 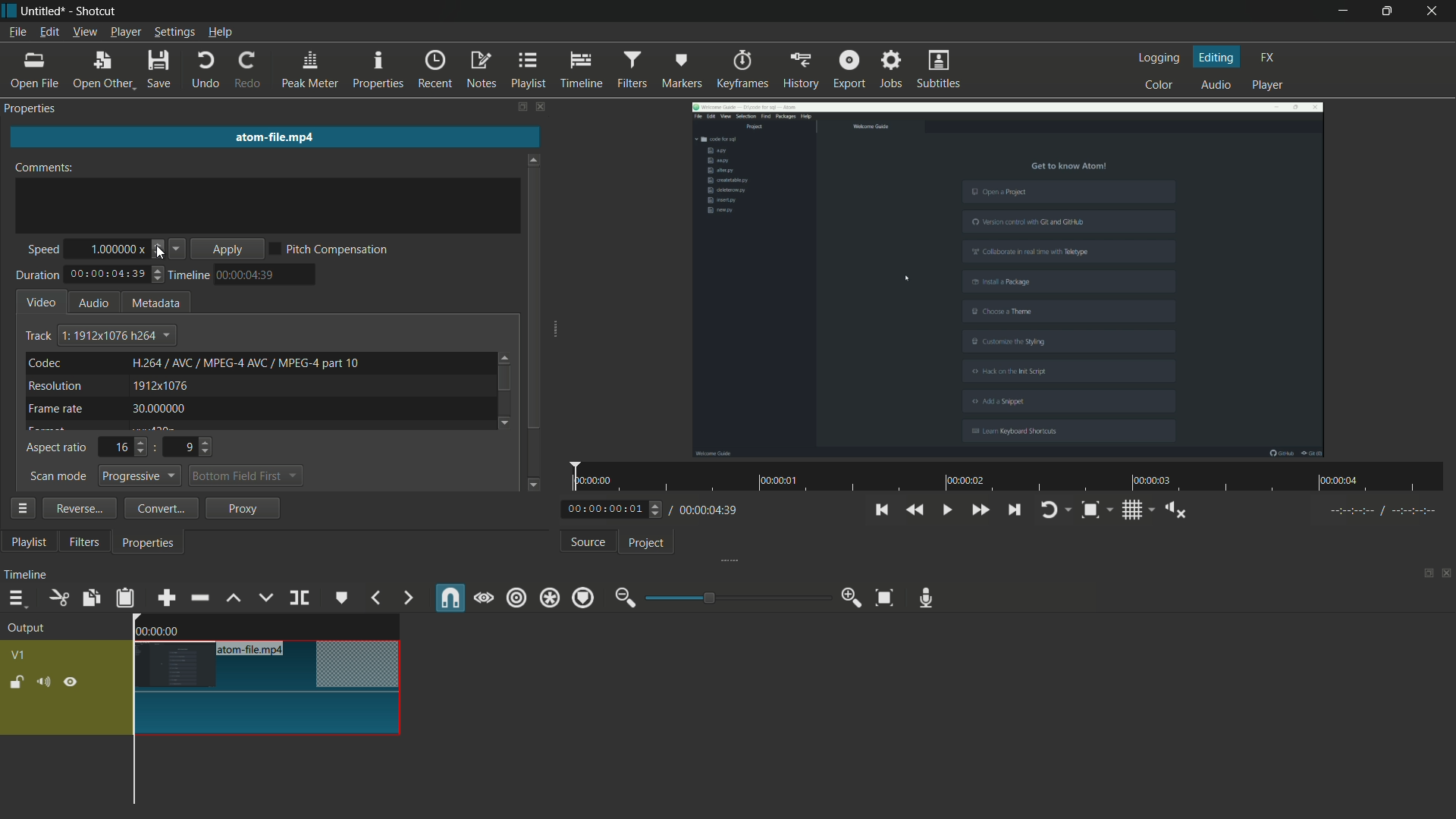 What do you see at coordinates (1268, 58) in the screenshot?
I see `fx` at bounding box center [1268, 58].